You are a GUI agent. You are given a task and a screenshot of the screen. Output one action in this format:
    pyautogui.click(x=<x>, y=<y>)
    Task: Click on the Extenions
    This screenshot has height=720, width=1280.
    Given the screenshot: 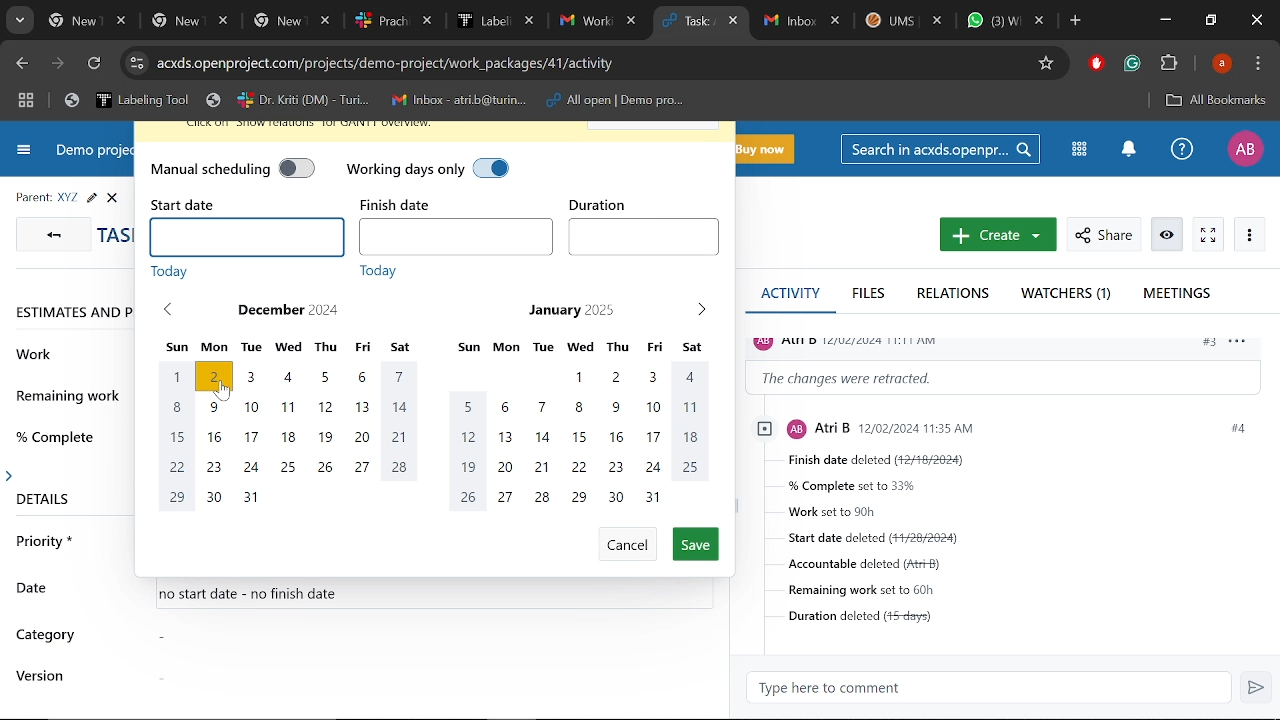 What is the action you would take?
    pyautogui.click(x=1169, y=65)
    